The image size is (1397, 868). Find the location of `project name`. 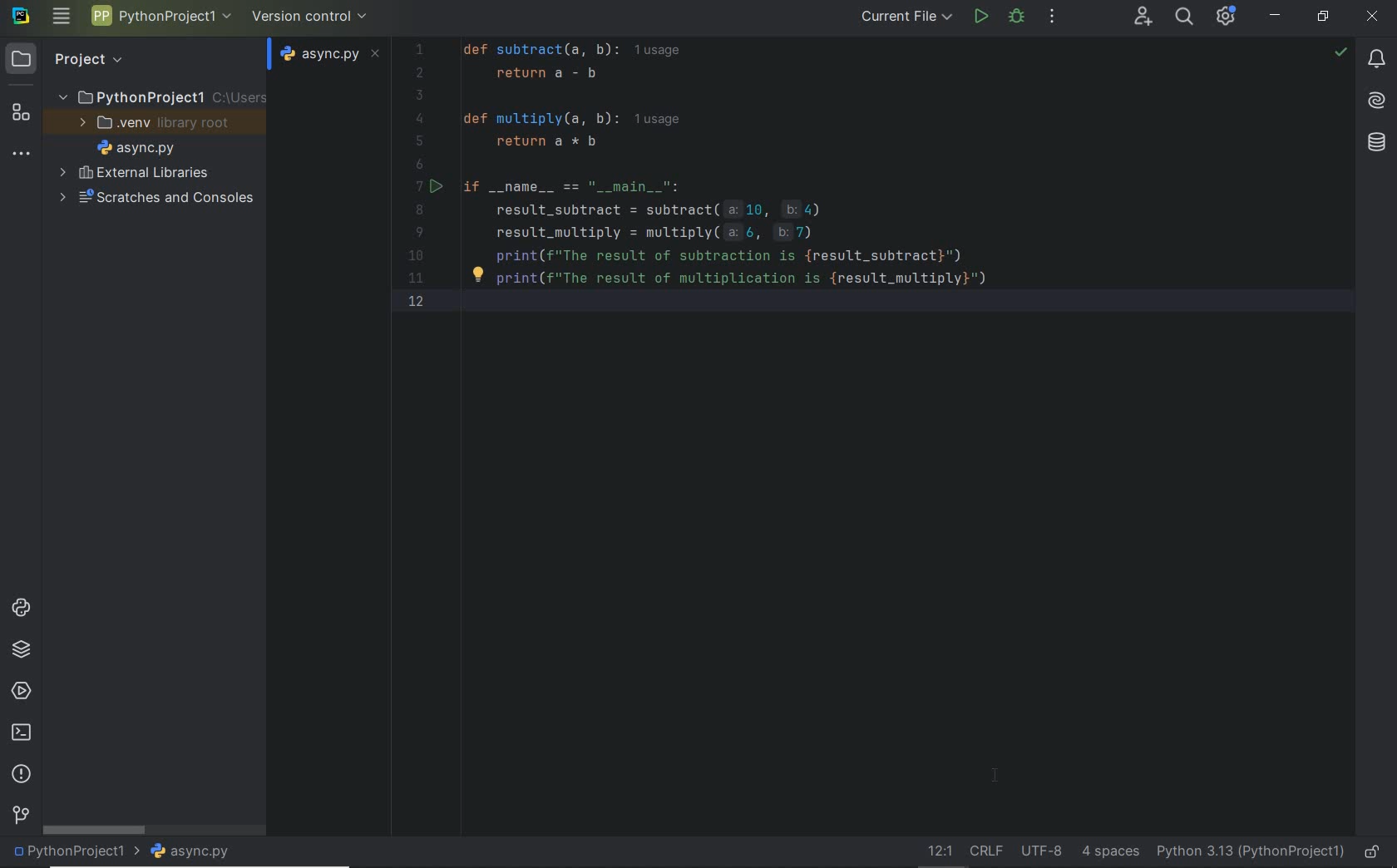

project name is located at coordinates (75, 852).